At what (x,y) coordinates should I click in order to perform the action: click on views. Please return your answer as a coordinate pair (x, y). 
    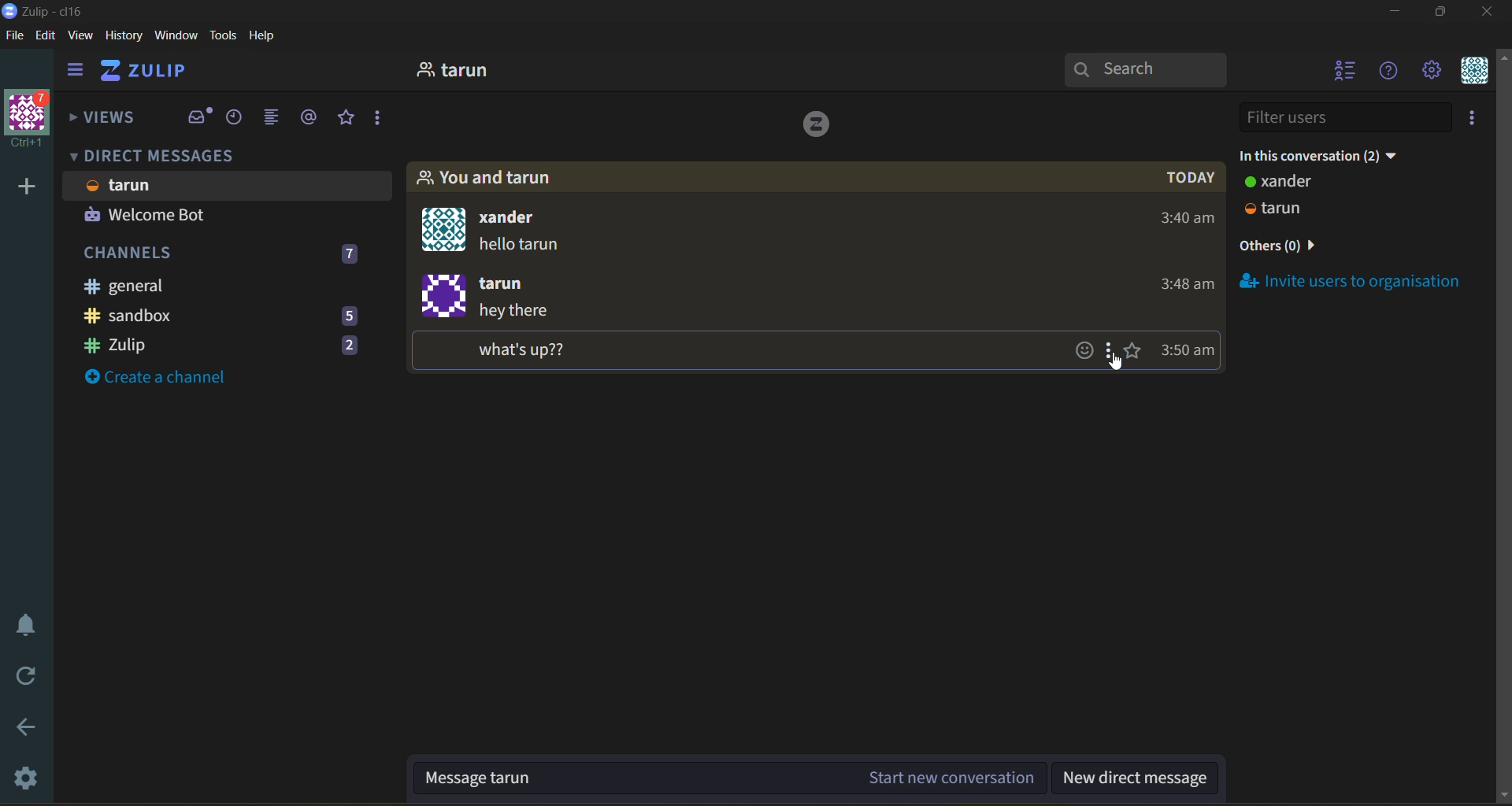
    Looking at the image, I should click on (105, 119).